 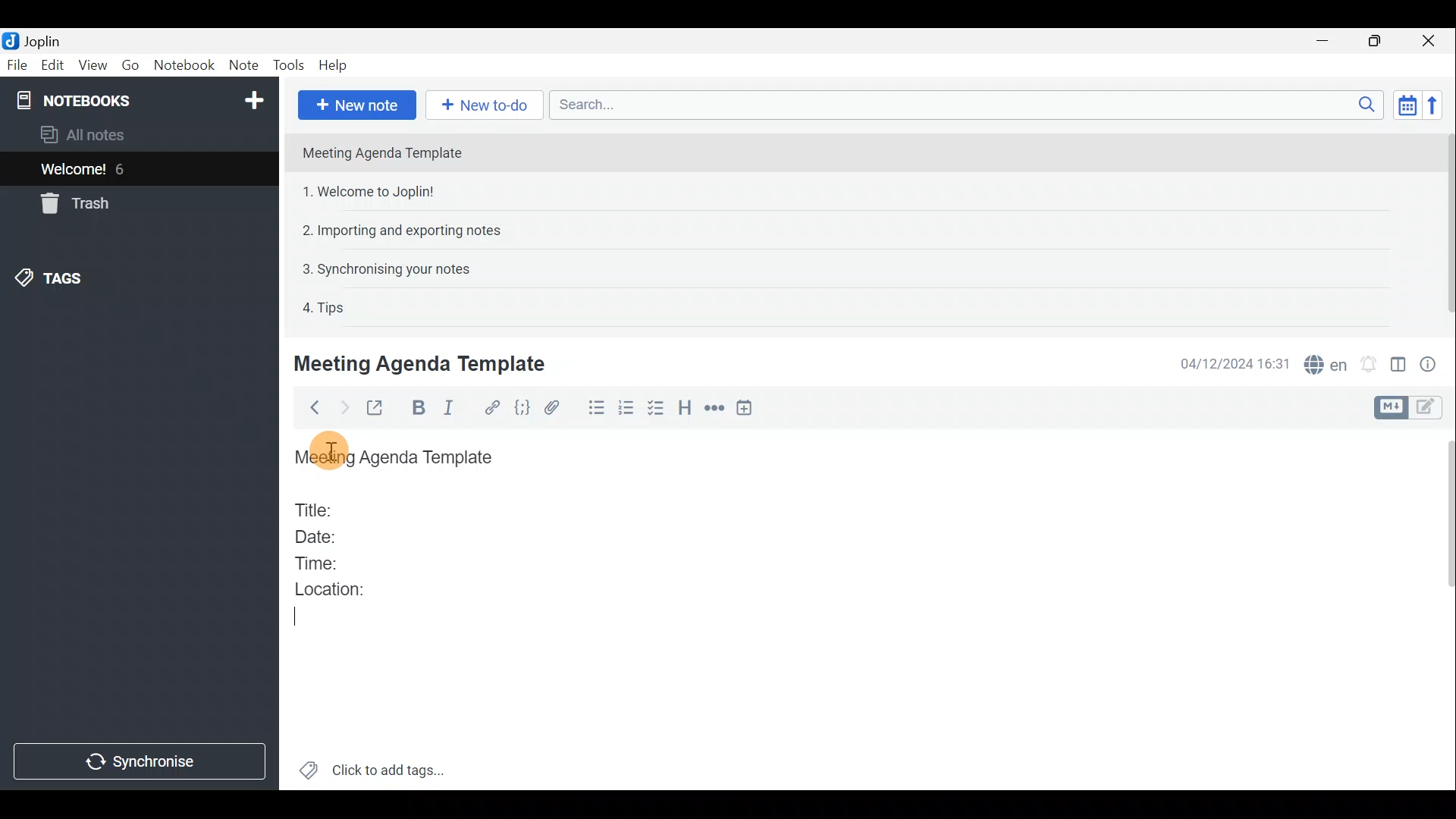 What do you see at coordinates (336, 65) in the screenshot?
I see `Help` at bounding box center [336, 65].